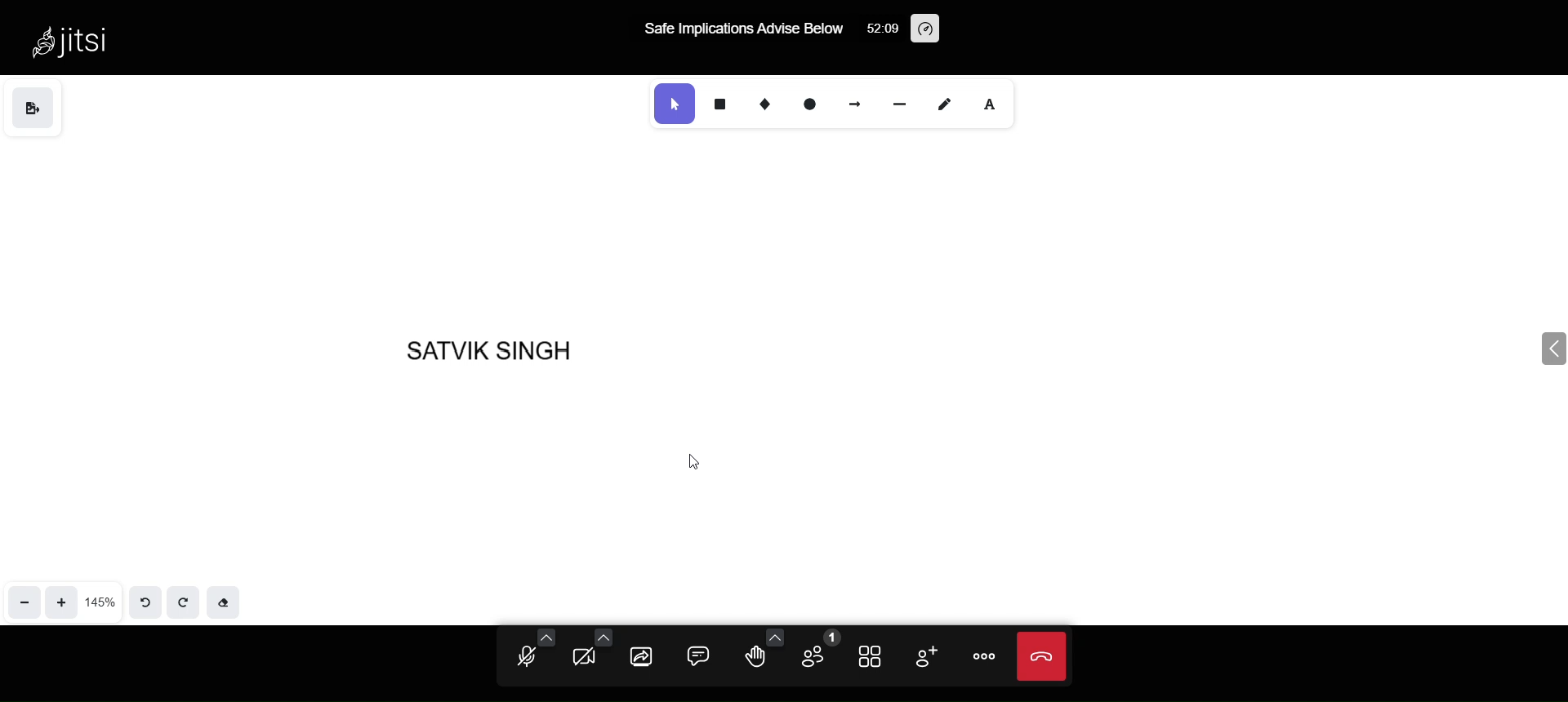  Describe the element at coordinates (897, 103) in the screenshot. I see `line` at that location.